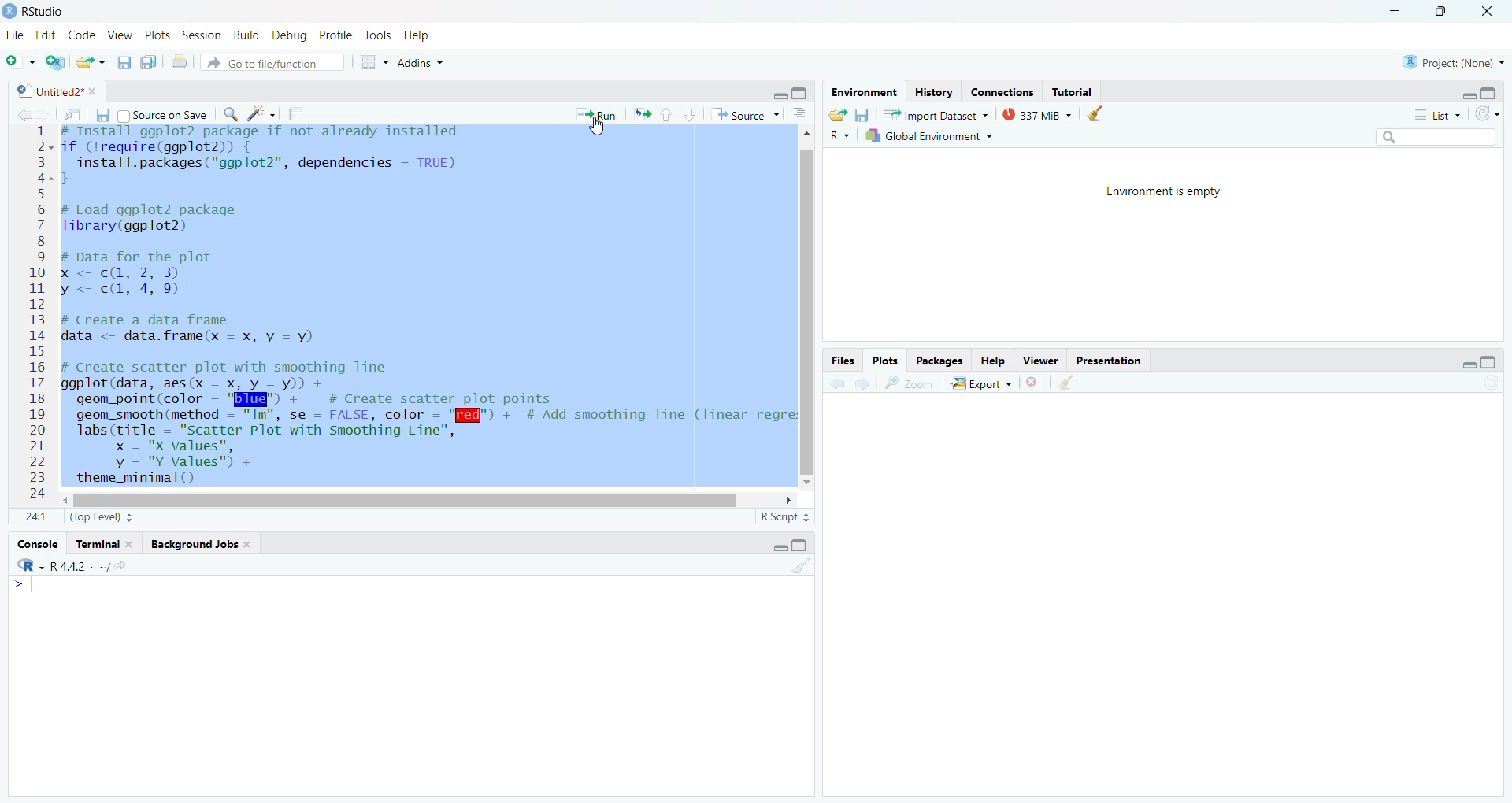  I want to click on R - R442 . ~/, so click(83, 568).